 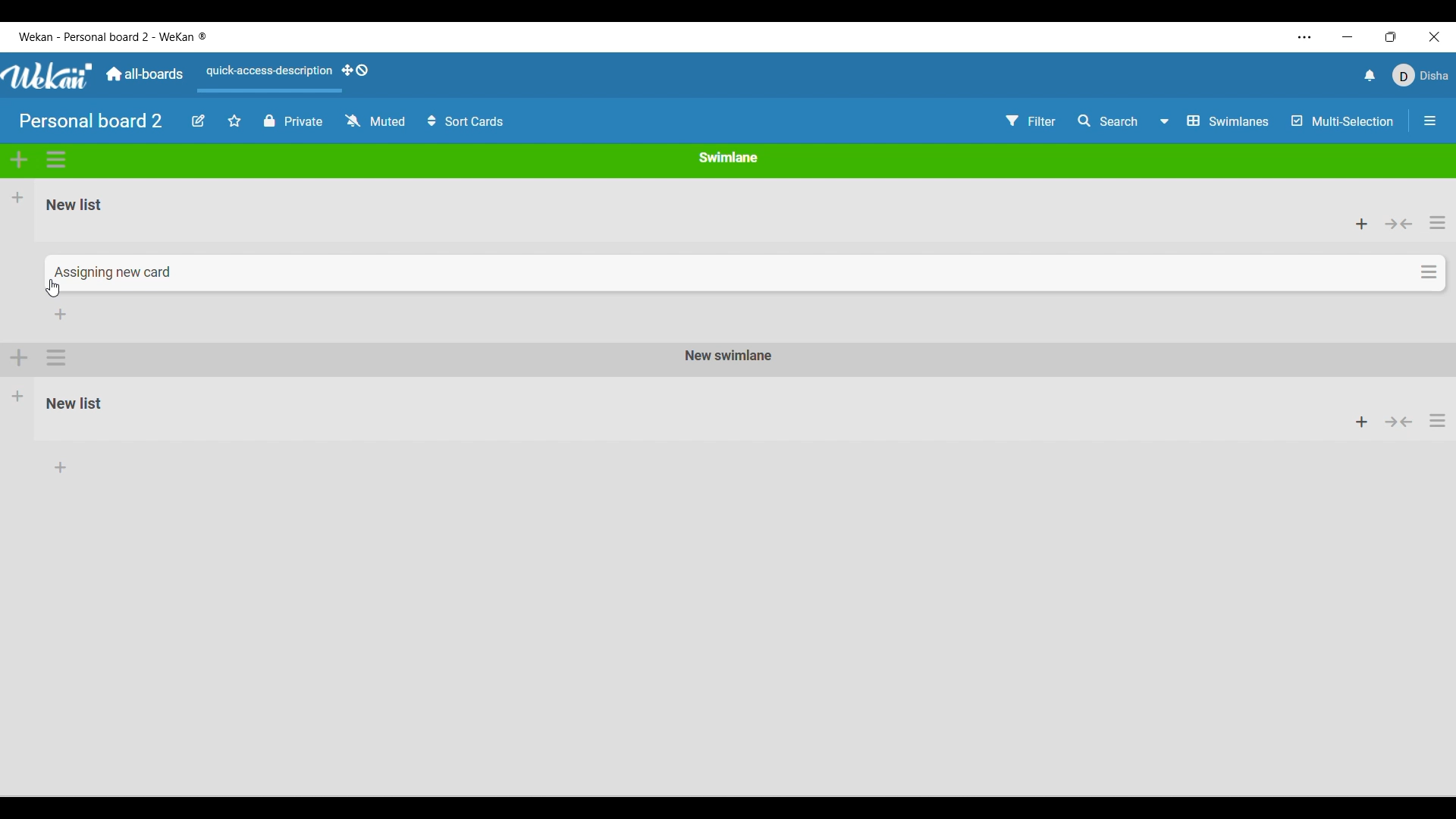 I want to click on More settings, so click(x=1305, y=37).